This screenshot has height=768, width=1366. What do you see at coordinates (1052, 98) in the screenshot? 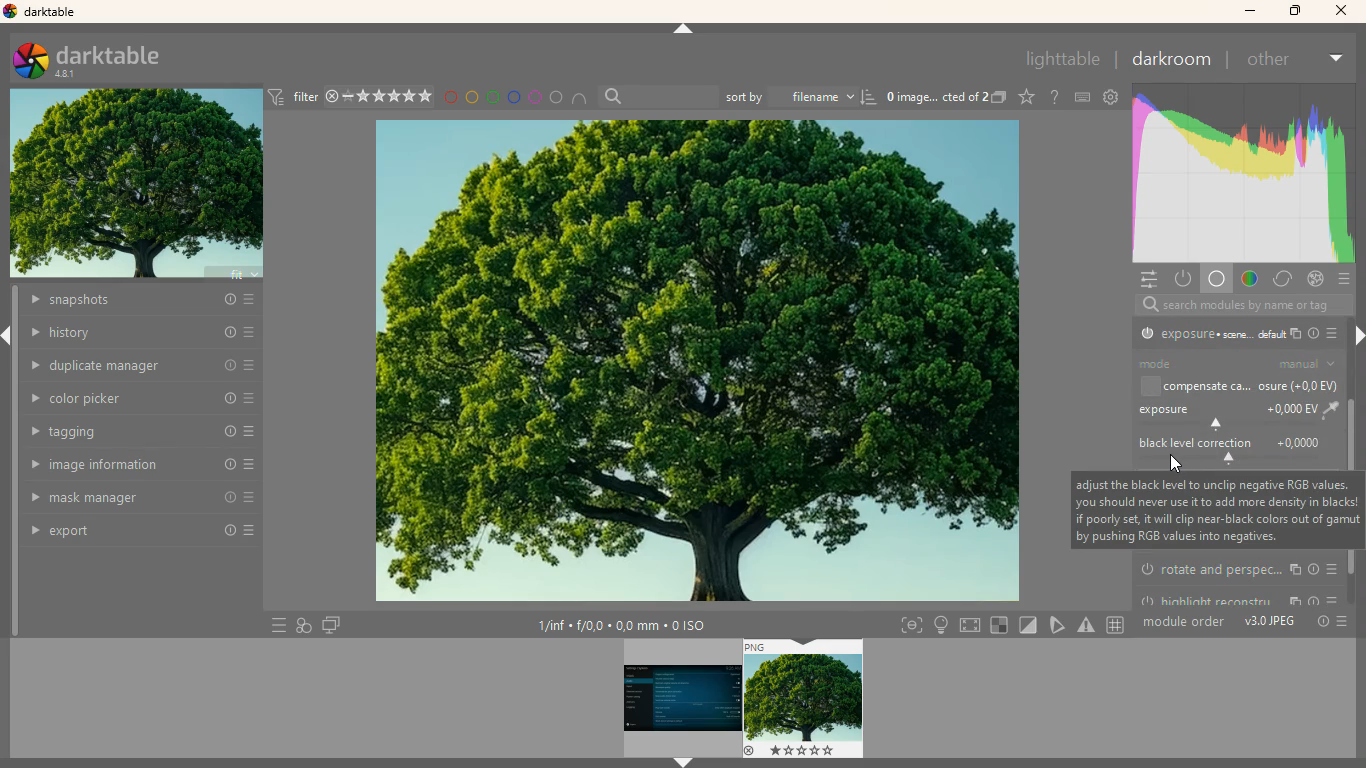
I see `doubt` at bounding box center [1052, 98].